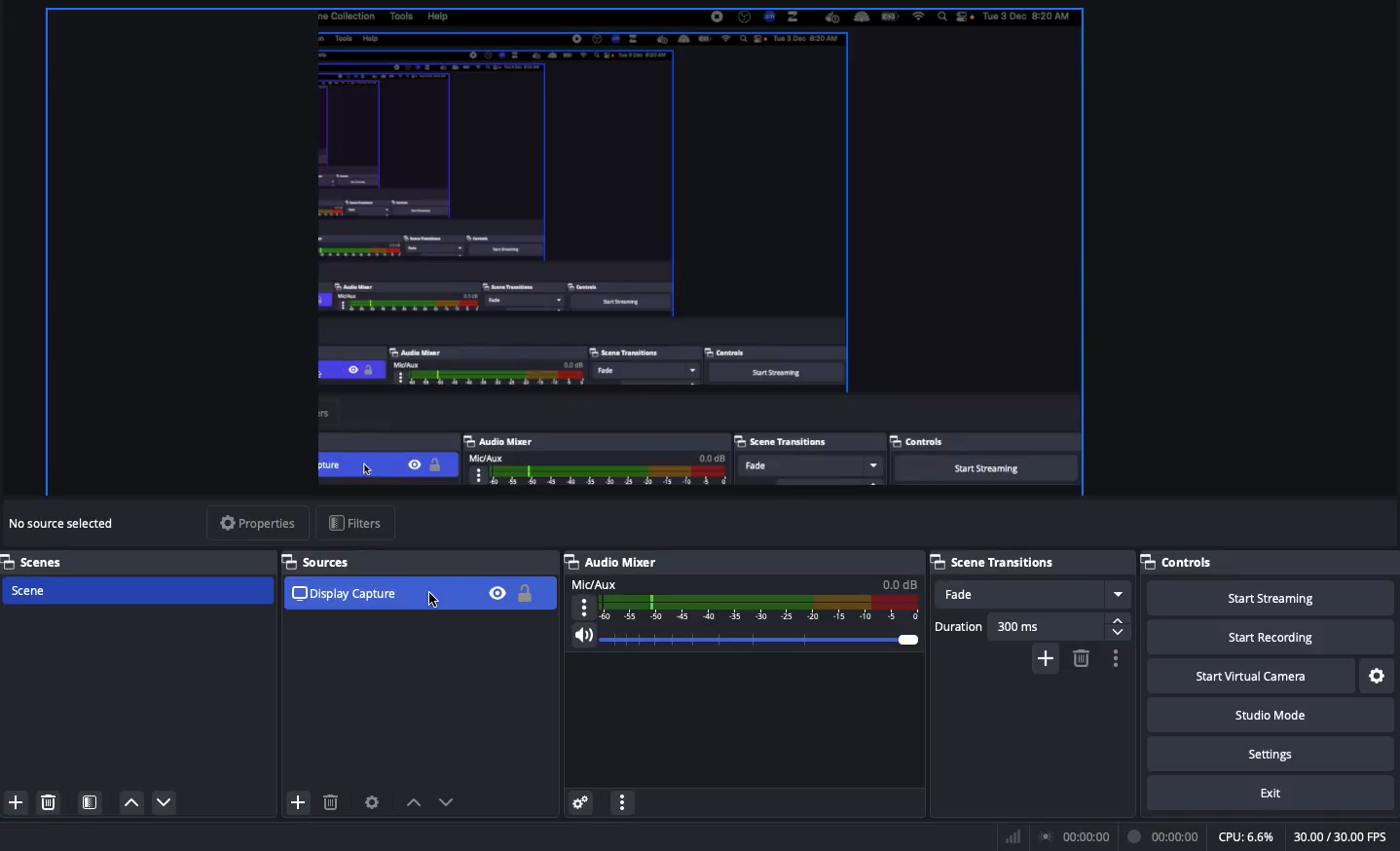 This screenshot has height=851, width=1400. Describe the element at coordinates (995, 564) in the screenshot. I see `Scene transitions` at that location.